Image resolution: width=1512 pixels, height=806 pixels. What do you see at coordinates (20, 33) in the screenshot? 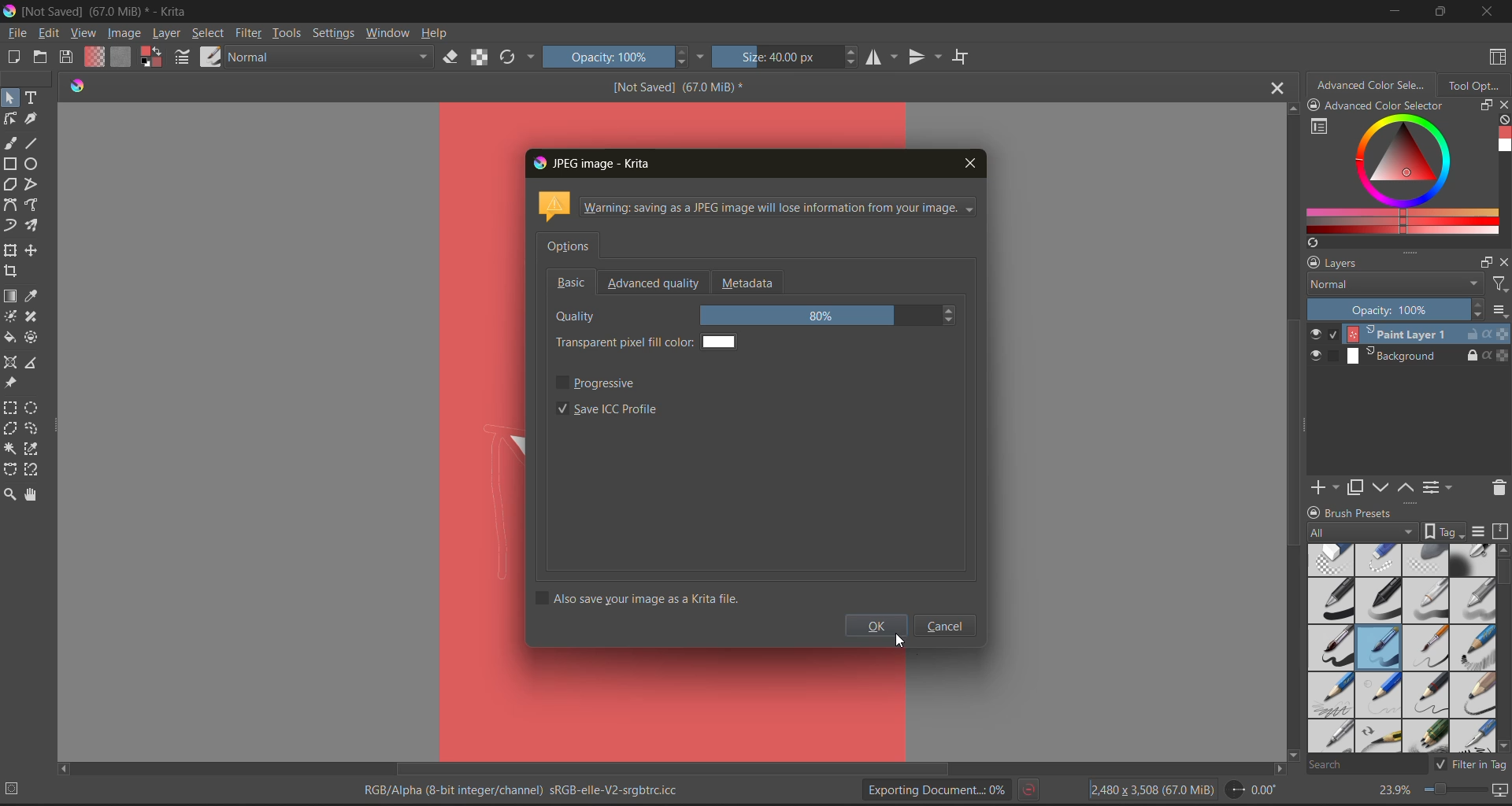
I see `file` at bounding box center [20, 33].